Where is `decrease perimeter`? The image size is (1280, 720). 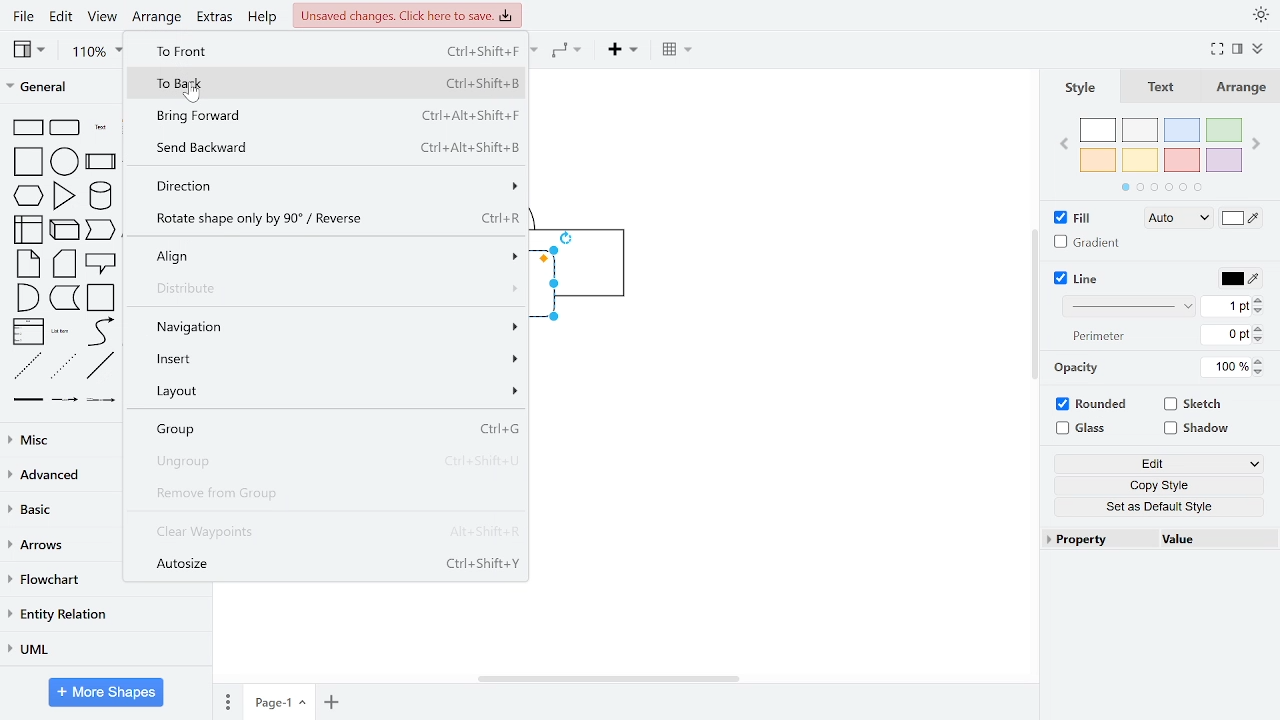
decrease perimeter is located at coordinates (1259, 339).